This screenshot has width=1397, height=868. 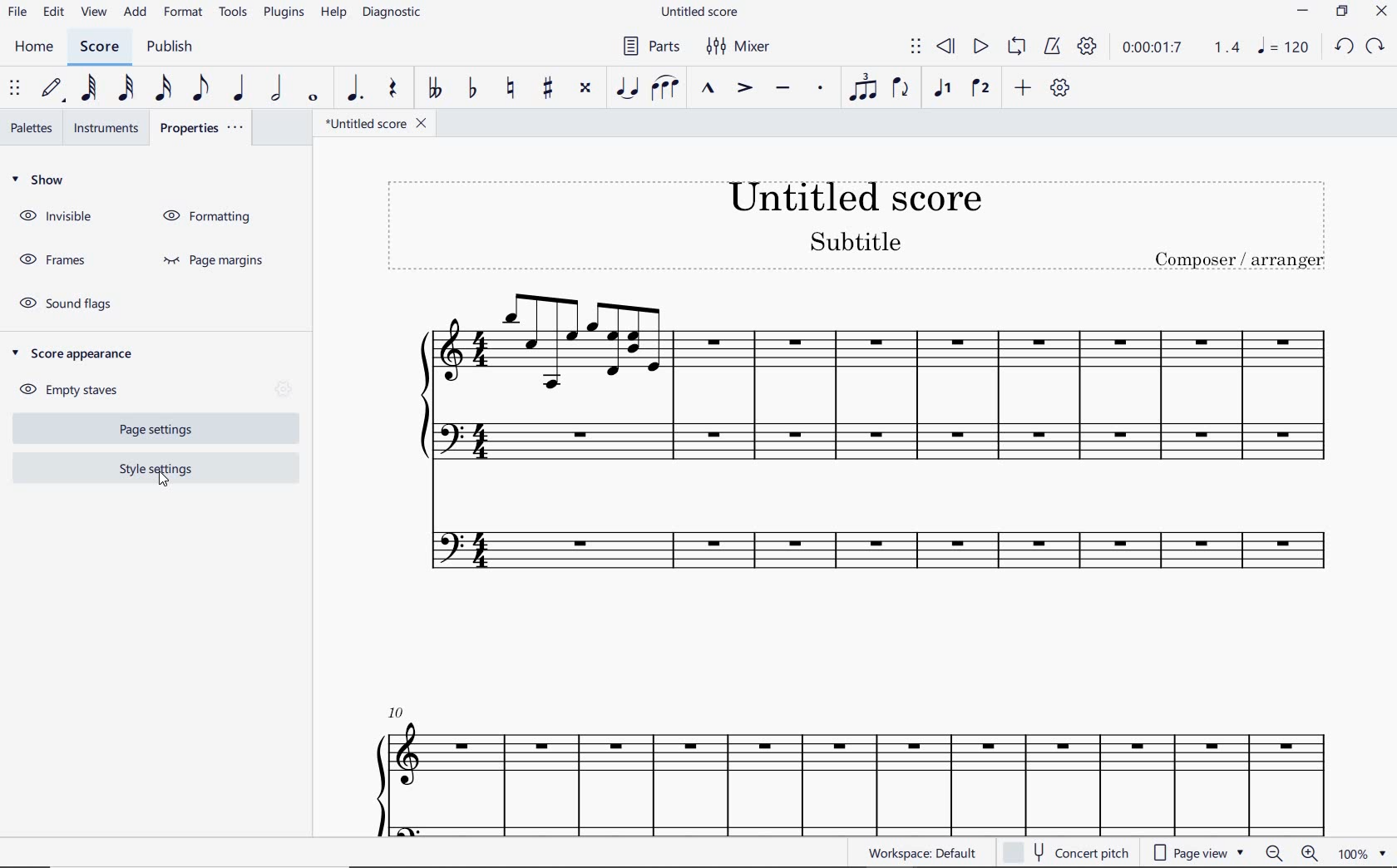 What do you see at coordinates (1086, 45) in the screenshot?
I see `PLAYBACK SETTINGS` at bounding box center [1086, 45].